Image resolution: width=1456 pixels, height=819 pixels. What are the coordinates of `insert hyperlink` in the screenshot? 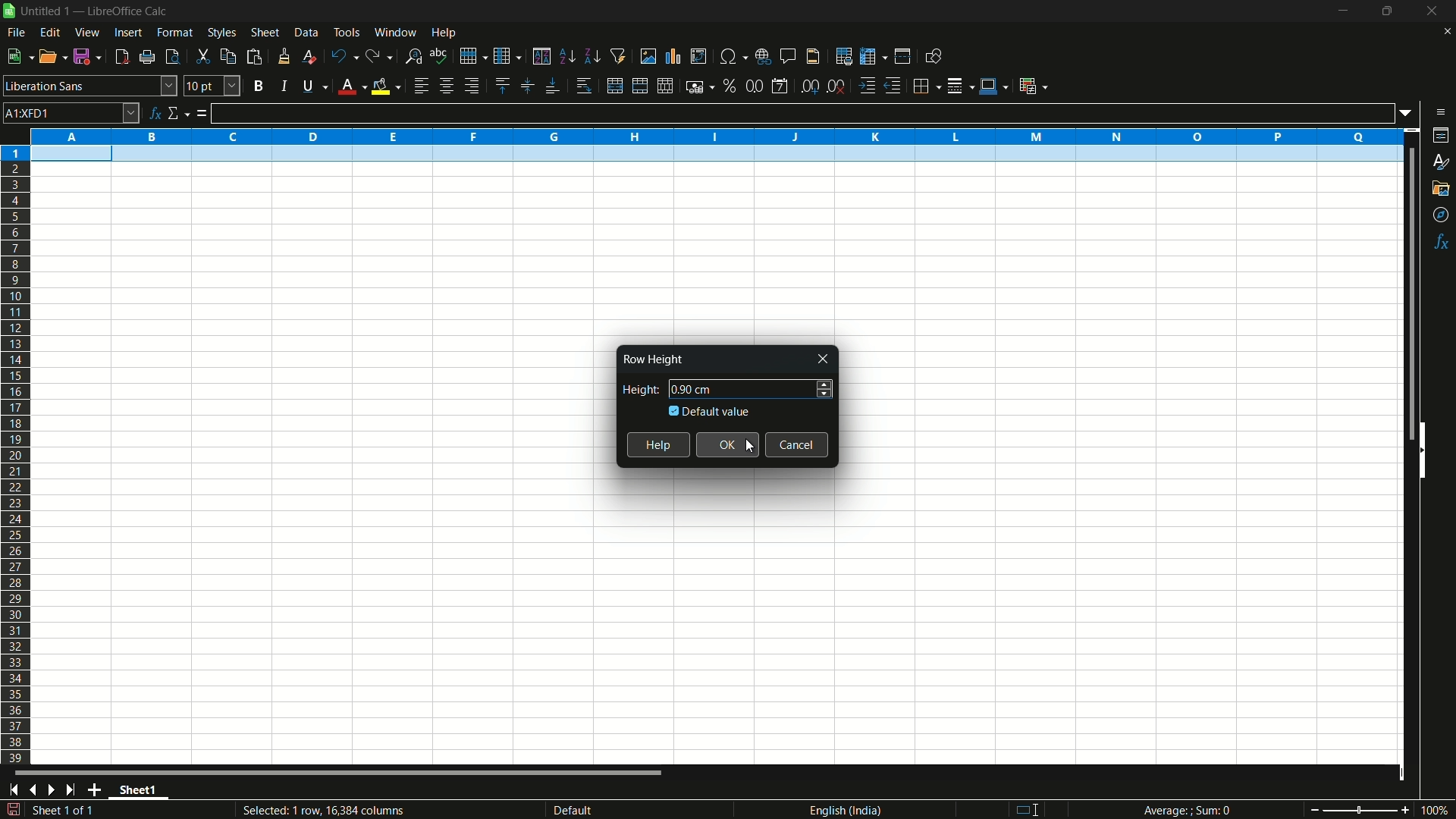 It's located at (765, 55).